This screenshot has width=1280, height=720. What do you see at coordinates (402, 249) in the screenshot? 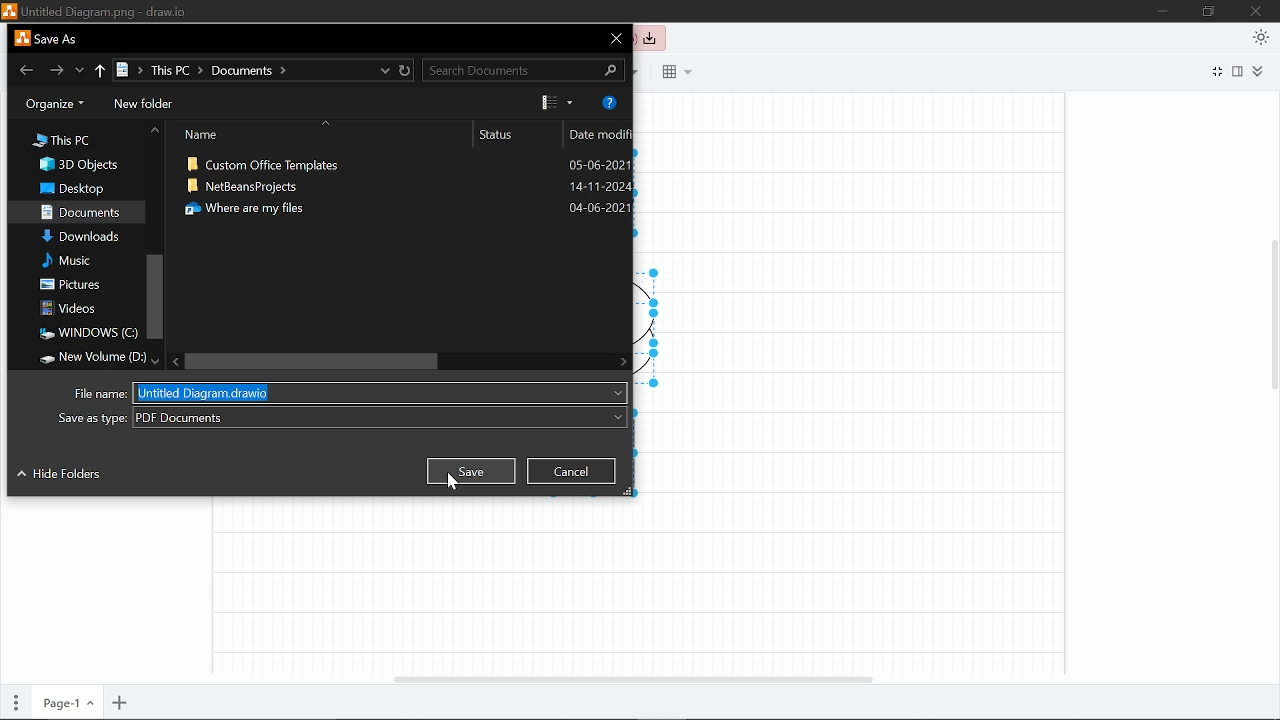
I see `Files in "Documents"` at bounding box center [402, 249].